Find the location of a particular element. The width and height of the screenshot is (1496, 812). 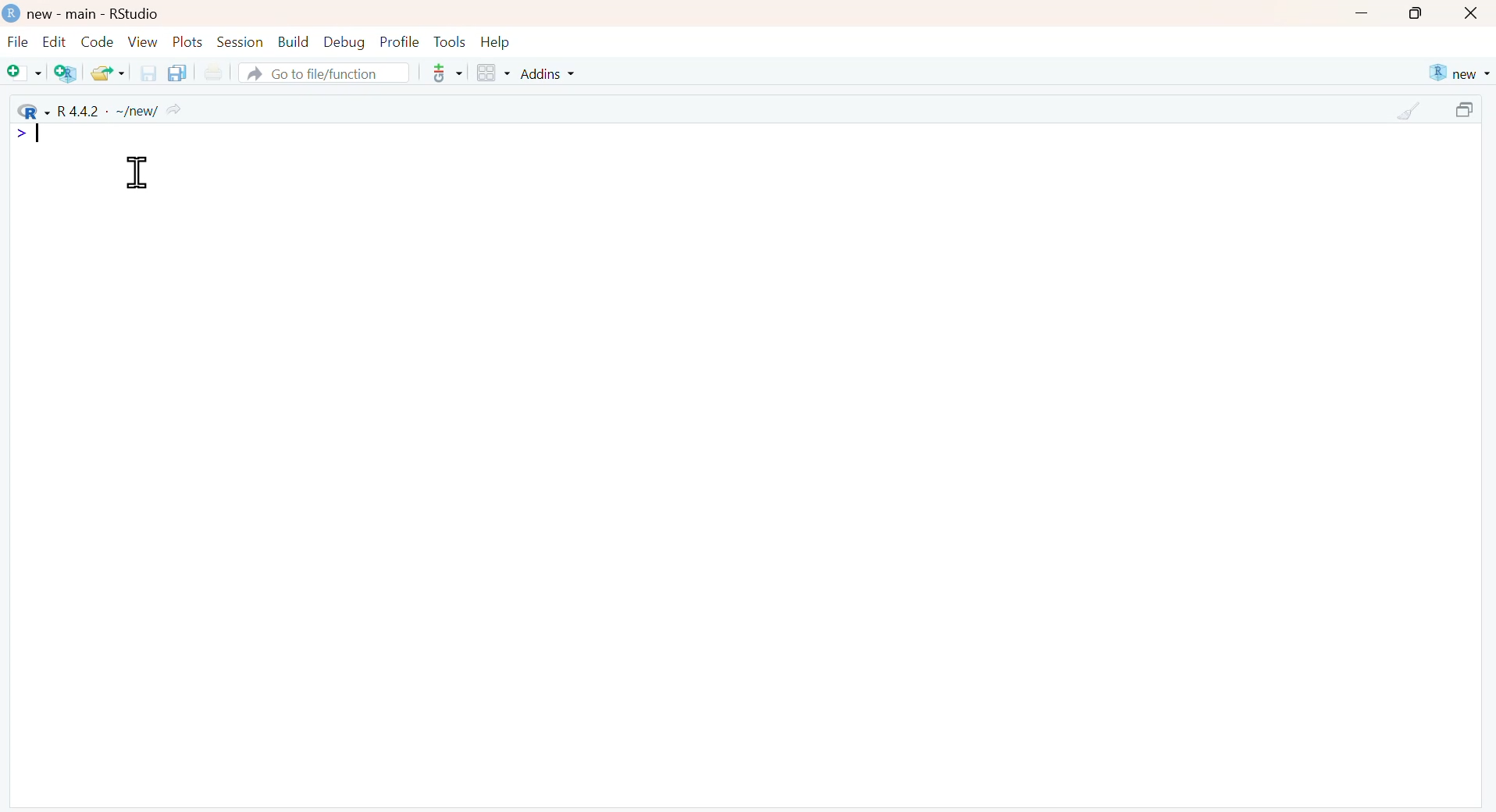

maximize is located at coordinates (1468, 112).